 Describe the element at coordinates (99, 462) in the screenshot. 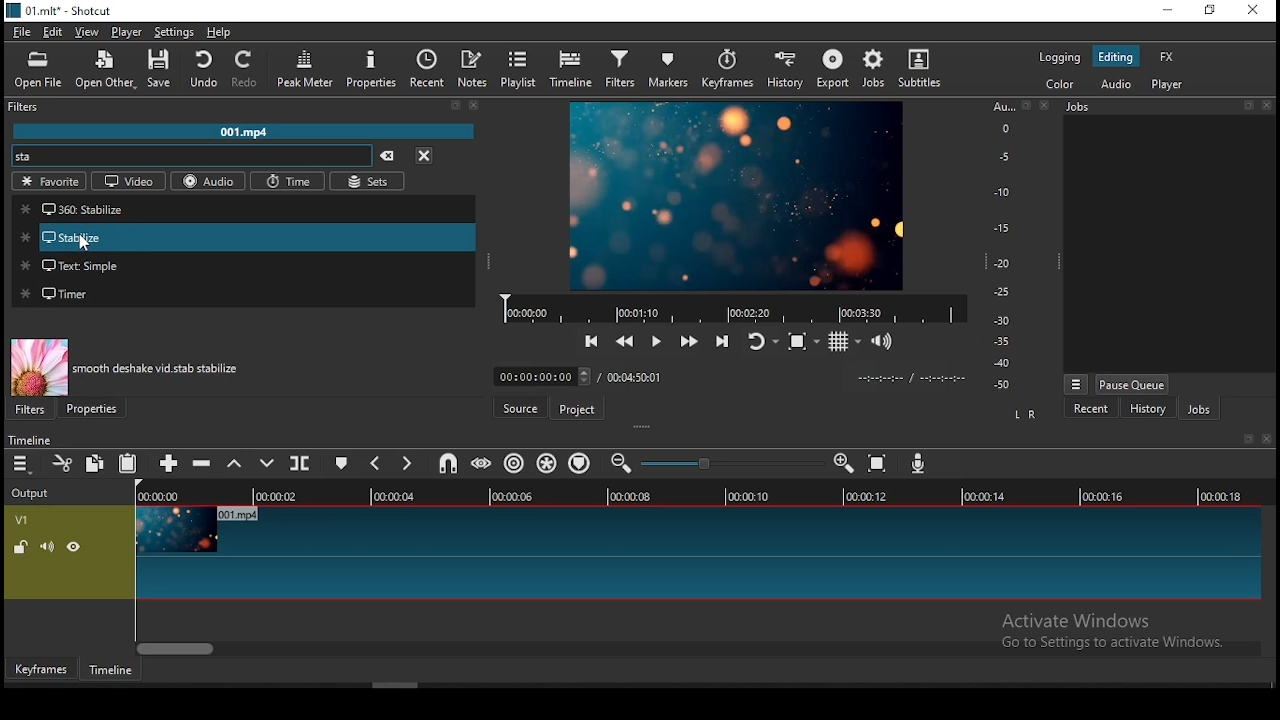

I see `copy` at that location.